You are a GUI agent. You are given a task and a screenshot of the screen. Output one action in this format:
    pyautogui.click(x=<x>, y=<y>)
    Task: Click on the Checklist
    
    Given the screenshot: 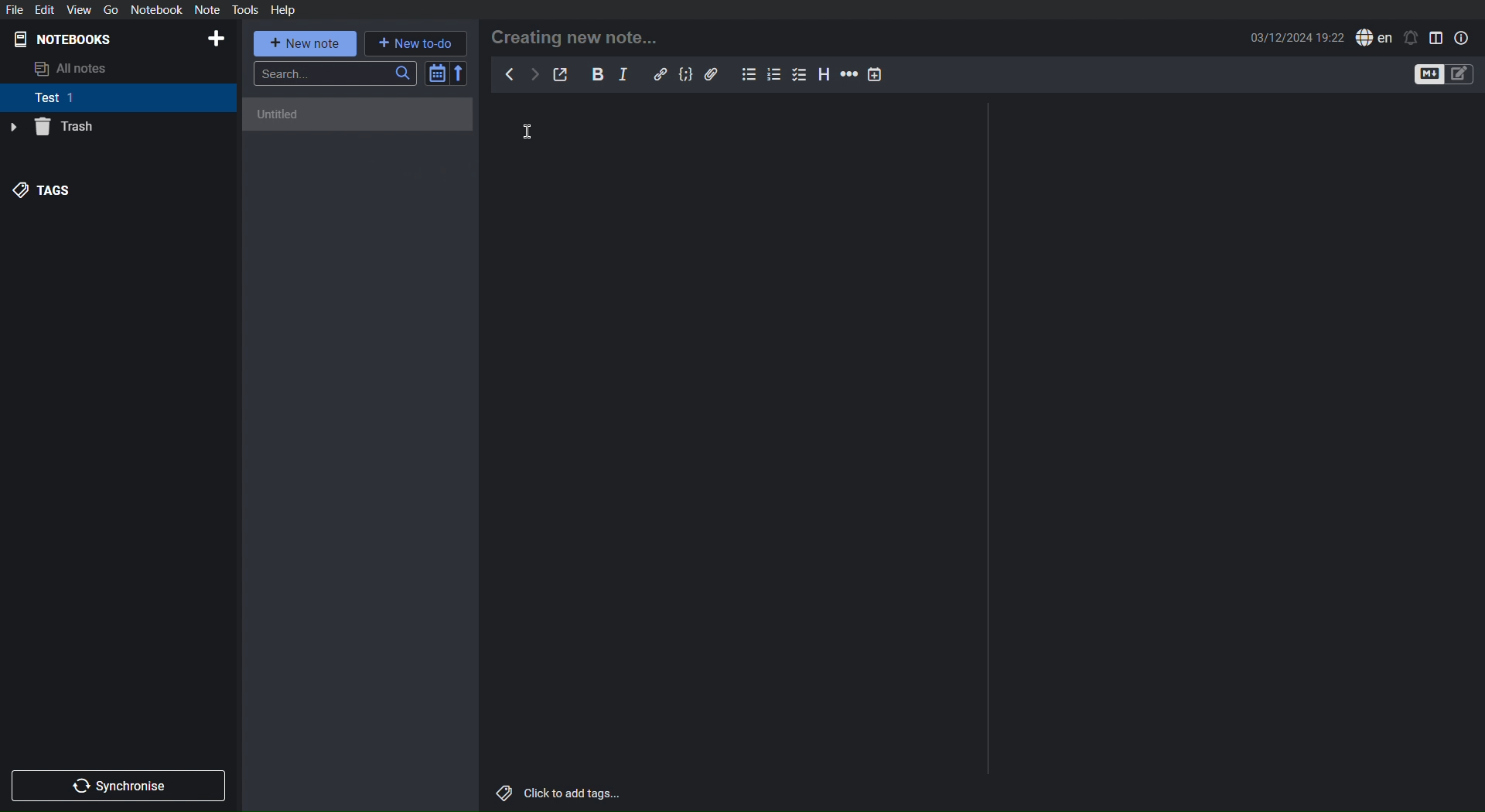 What is the action you would take?
    pyautogui.click(x=800, y=75)
    